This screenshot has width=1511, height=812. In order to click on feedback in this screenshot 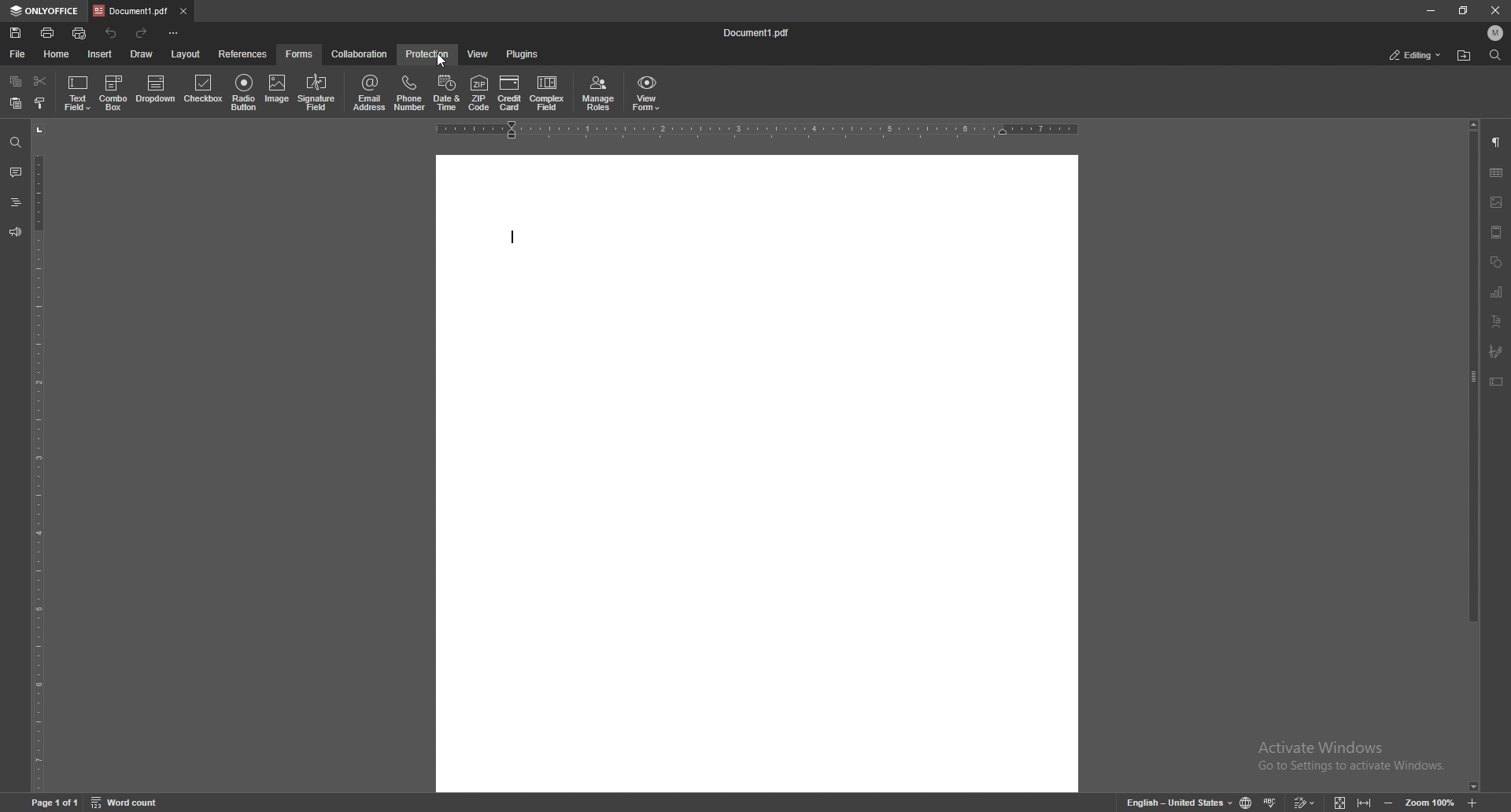, I will do `click(14, 233)`.